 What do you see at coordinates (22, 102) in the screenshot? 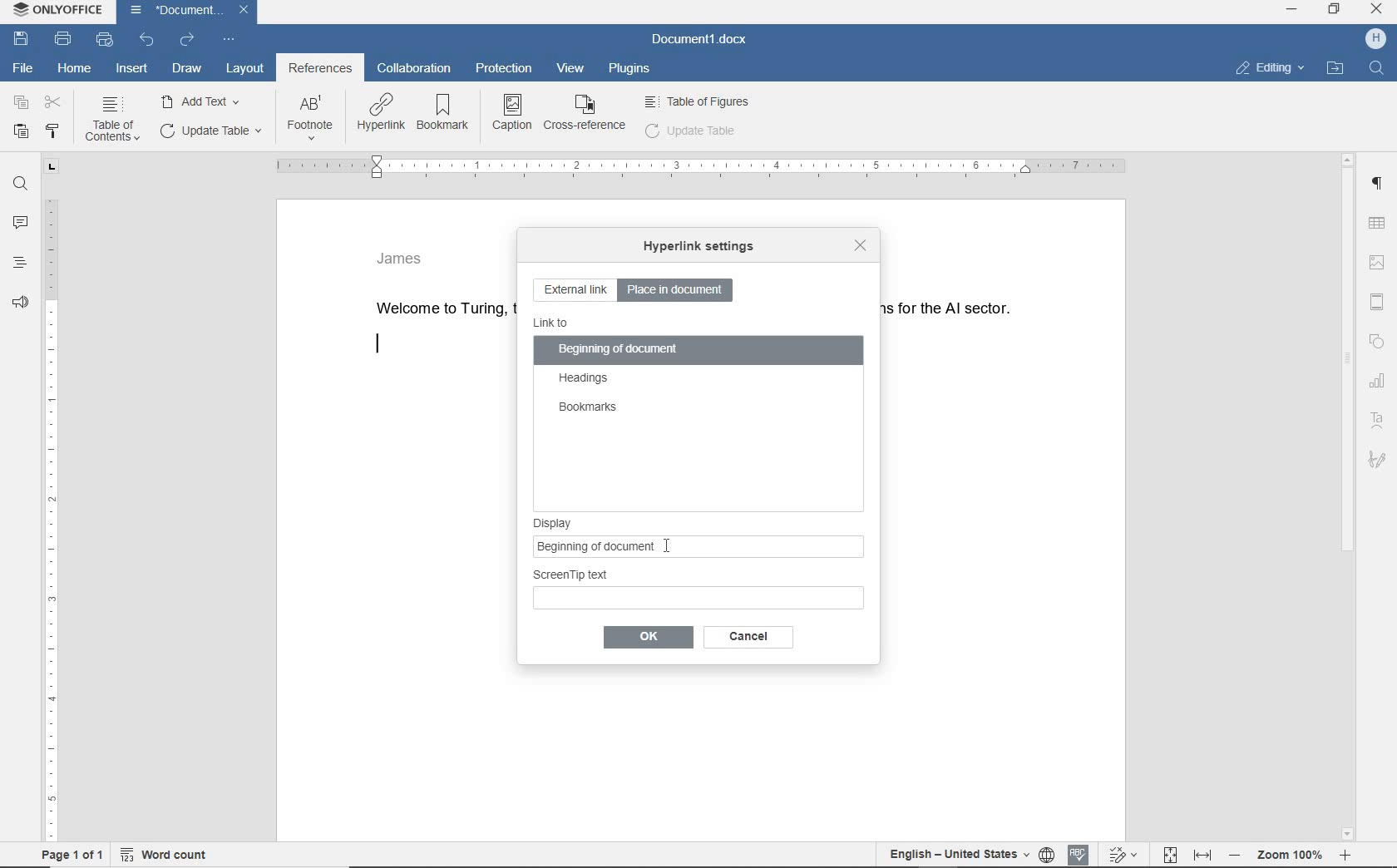
I see `copy` at bounding box center [22, 102].